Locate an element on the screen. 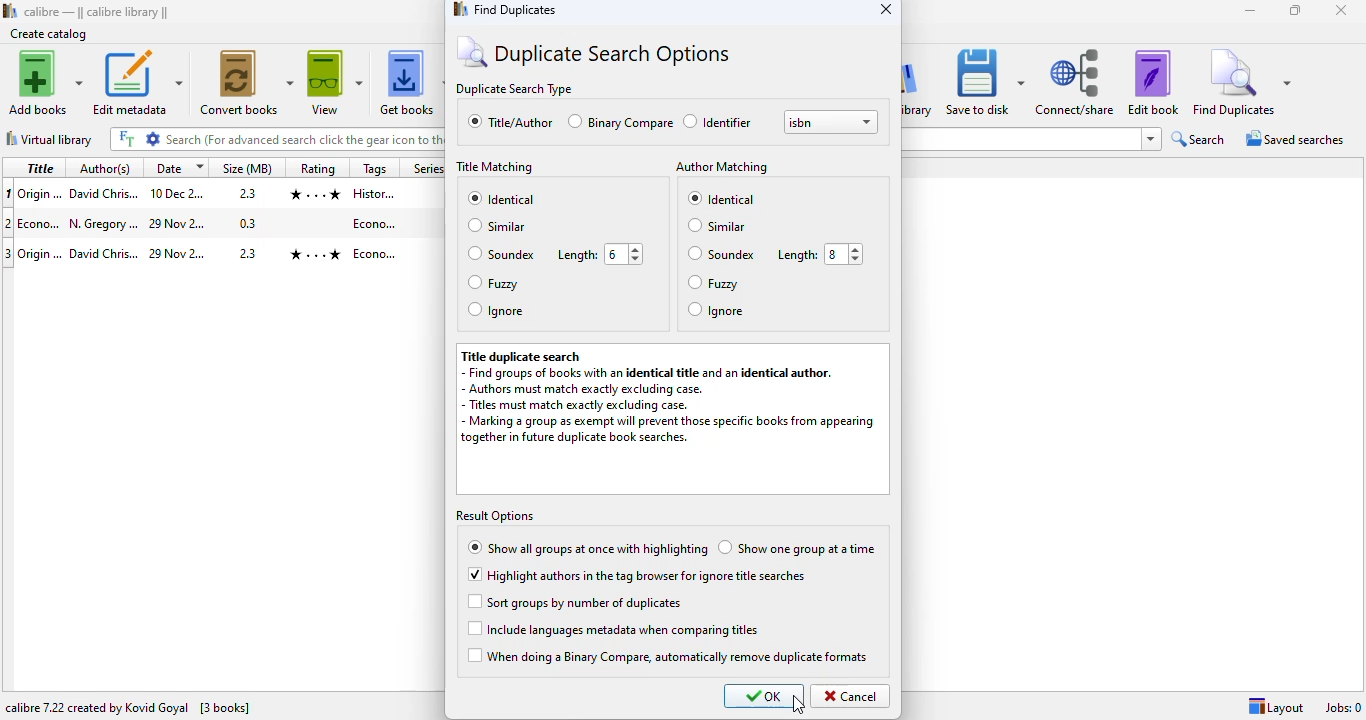 The width and height of the screenshot is (1366, 720). show all groups at once while highlighting is located at coordinates (587, 549).